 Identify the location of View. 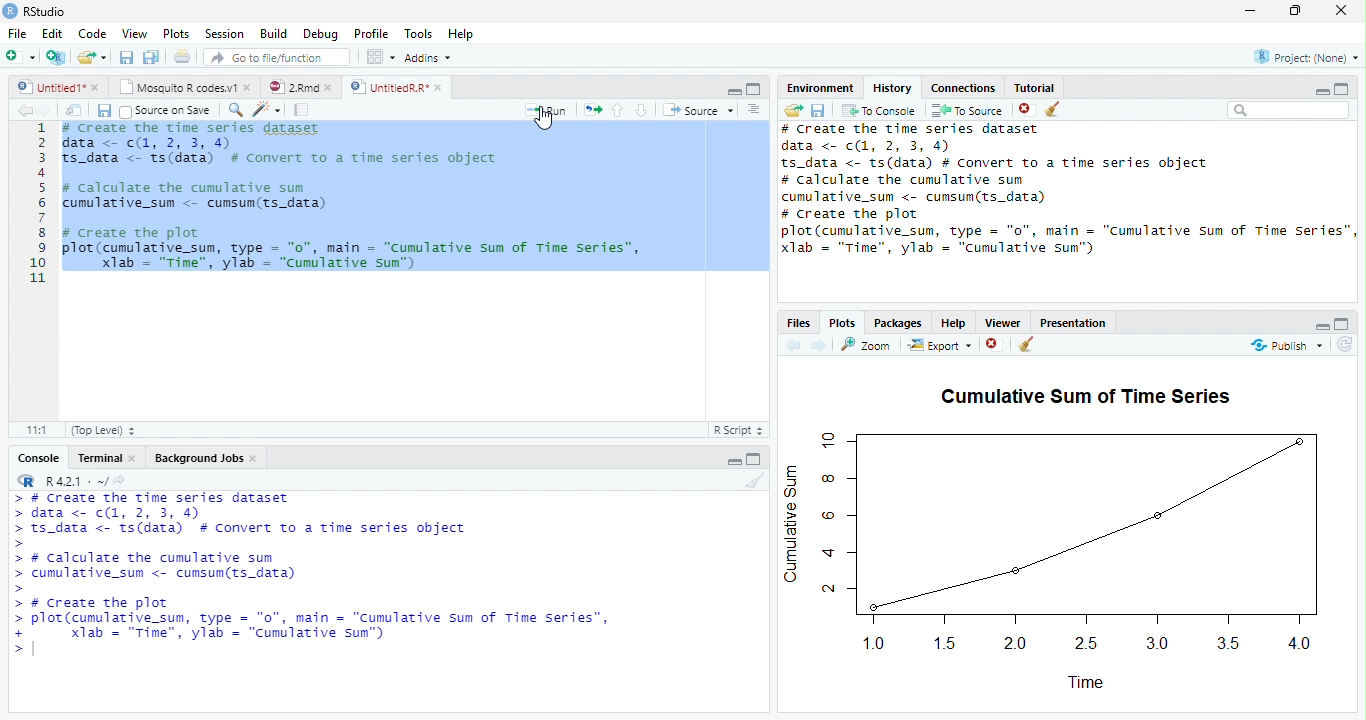
(134, 33).